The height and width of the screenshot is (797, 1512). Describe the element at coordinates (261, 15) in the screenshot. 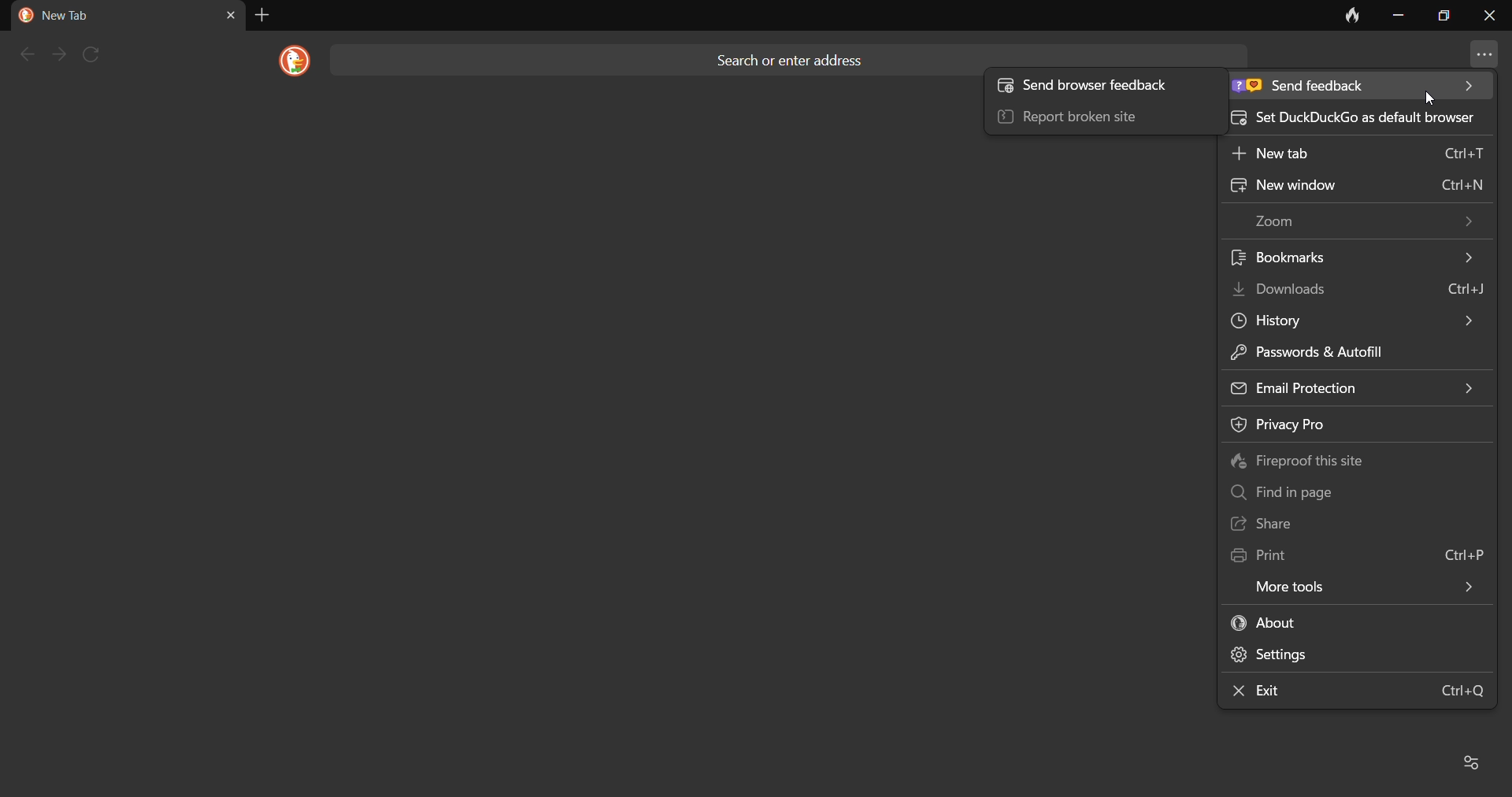

I see `add tab` at that location.